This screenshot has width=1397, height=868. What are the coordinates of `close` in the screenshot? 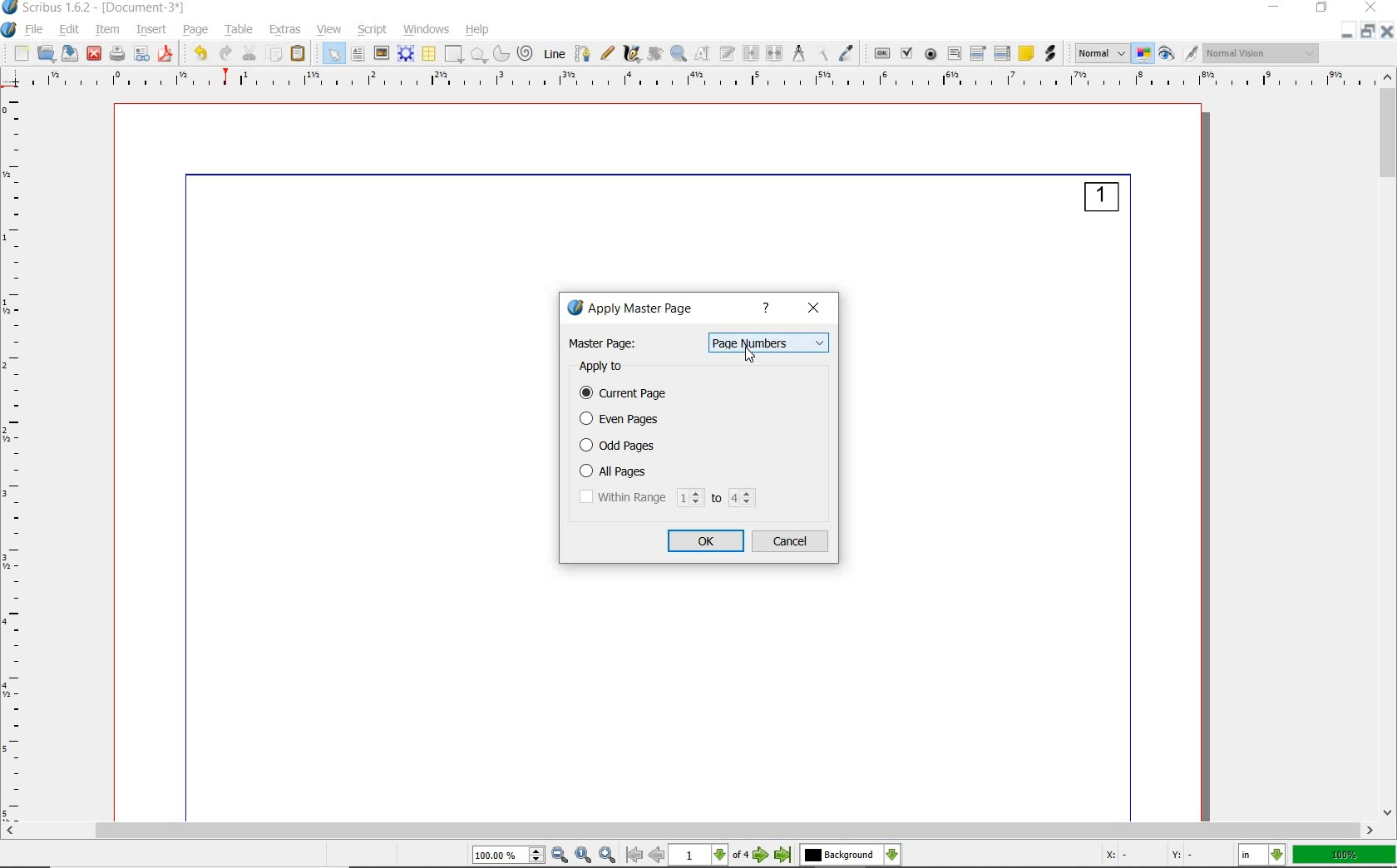 It's located at (95, 55).